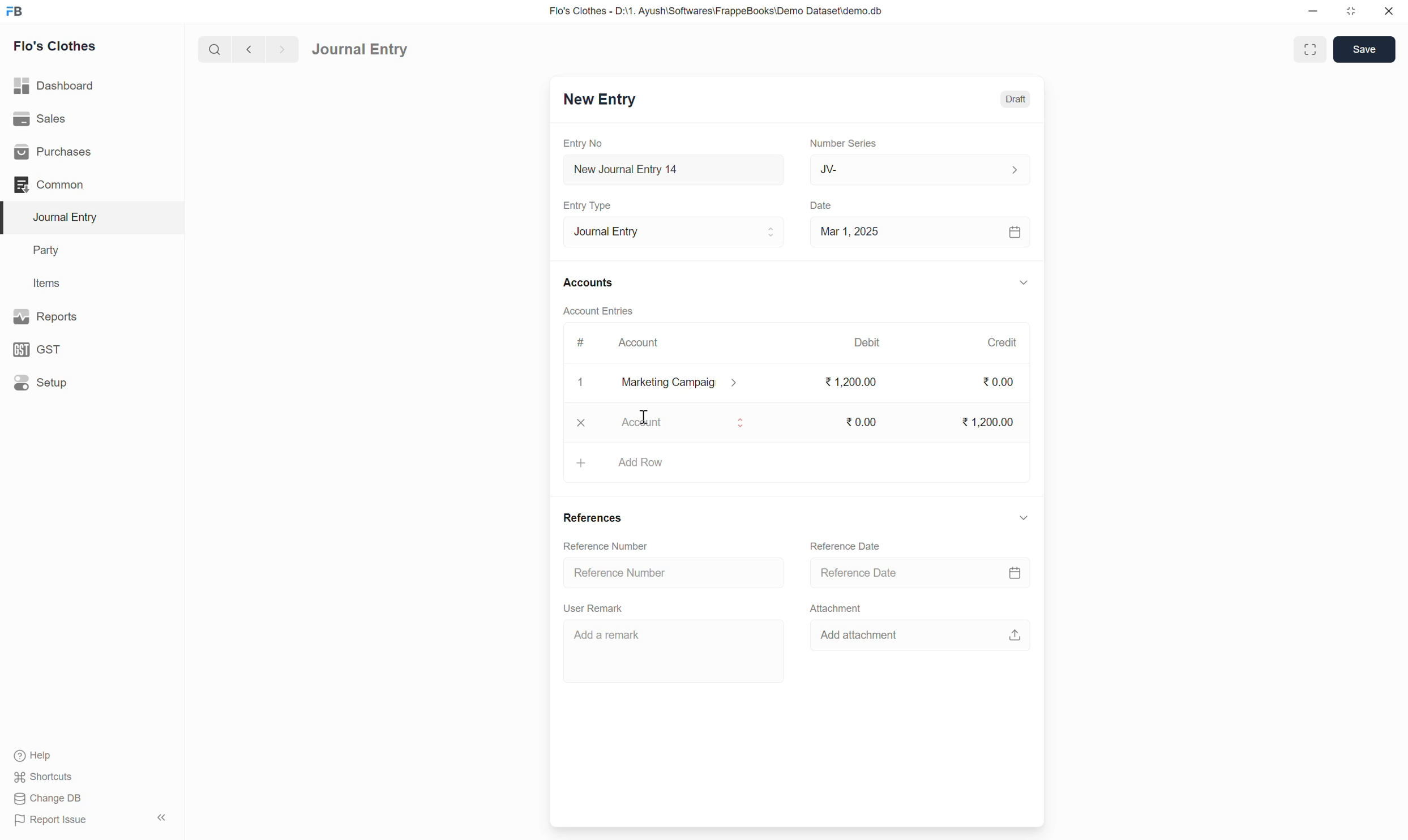  I want to click on Change DB, so click(48, 798).